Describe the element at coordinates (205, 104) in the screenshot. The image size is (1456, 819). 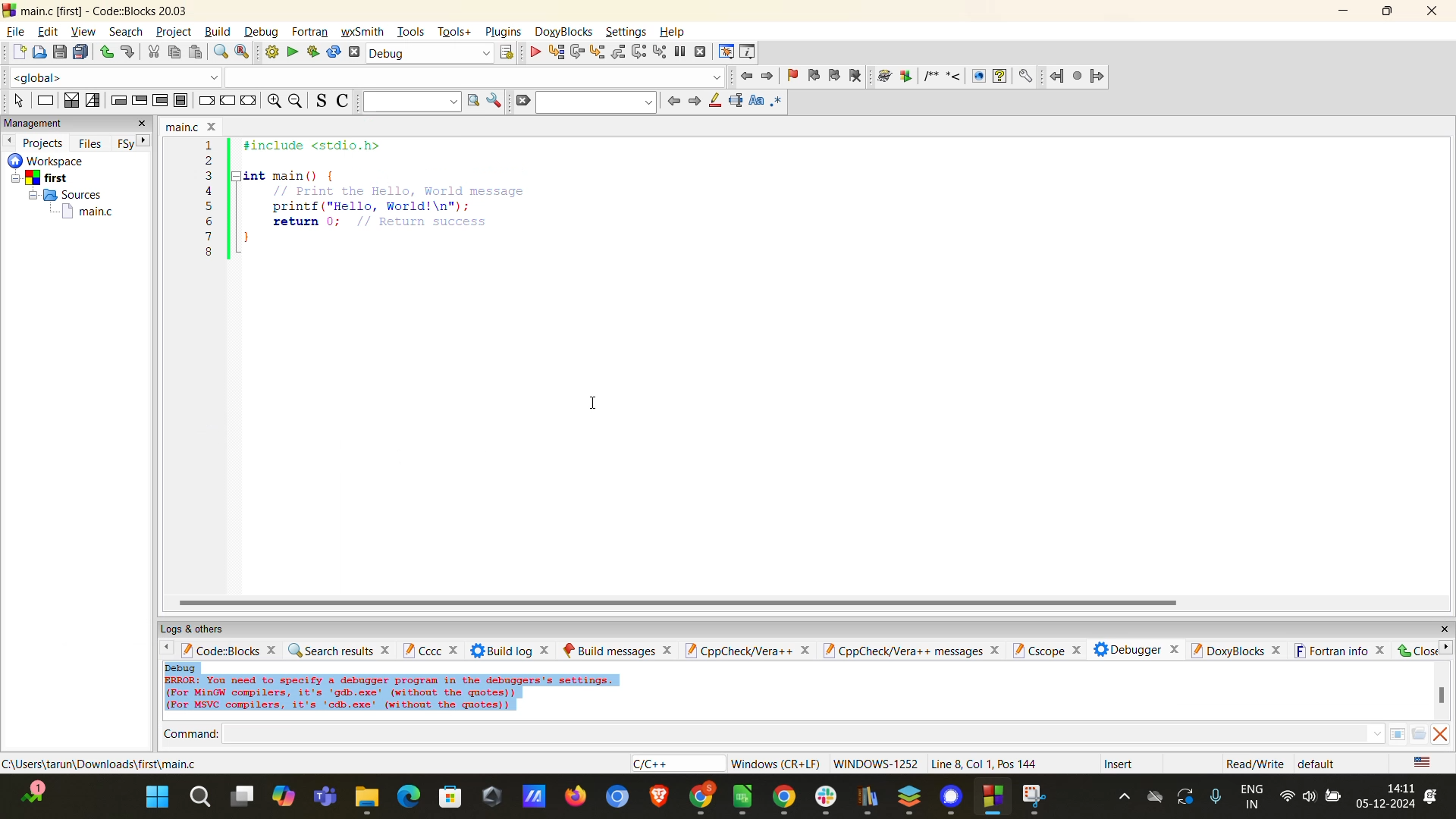
I see `break instruction` at that location.